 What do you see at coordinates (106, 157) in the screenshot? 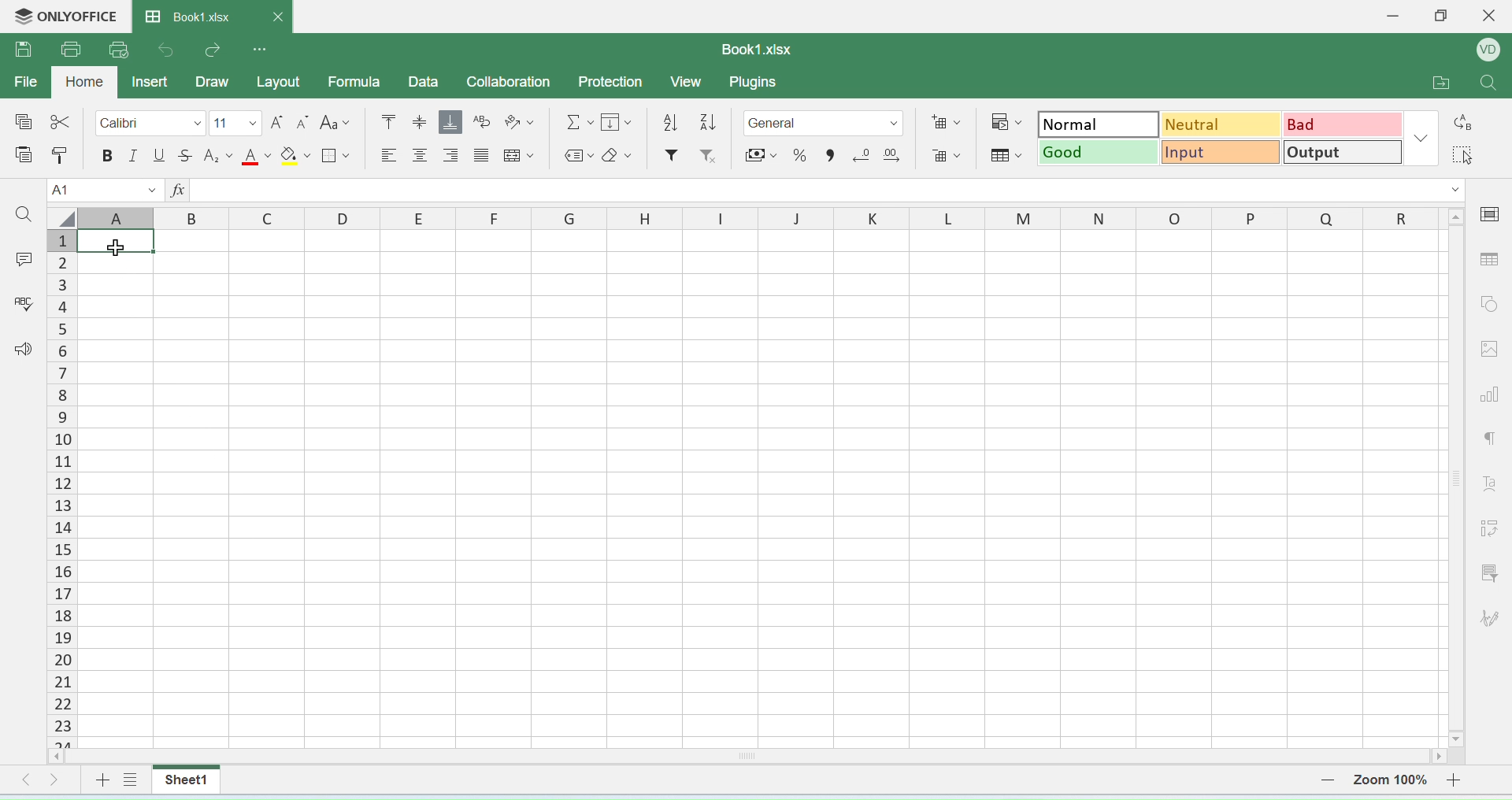
I see `bolde` at bounding box center [106, 157].